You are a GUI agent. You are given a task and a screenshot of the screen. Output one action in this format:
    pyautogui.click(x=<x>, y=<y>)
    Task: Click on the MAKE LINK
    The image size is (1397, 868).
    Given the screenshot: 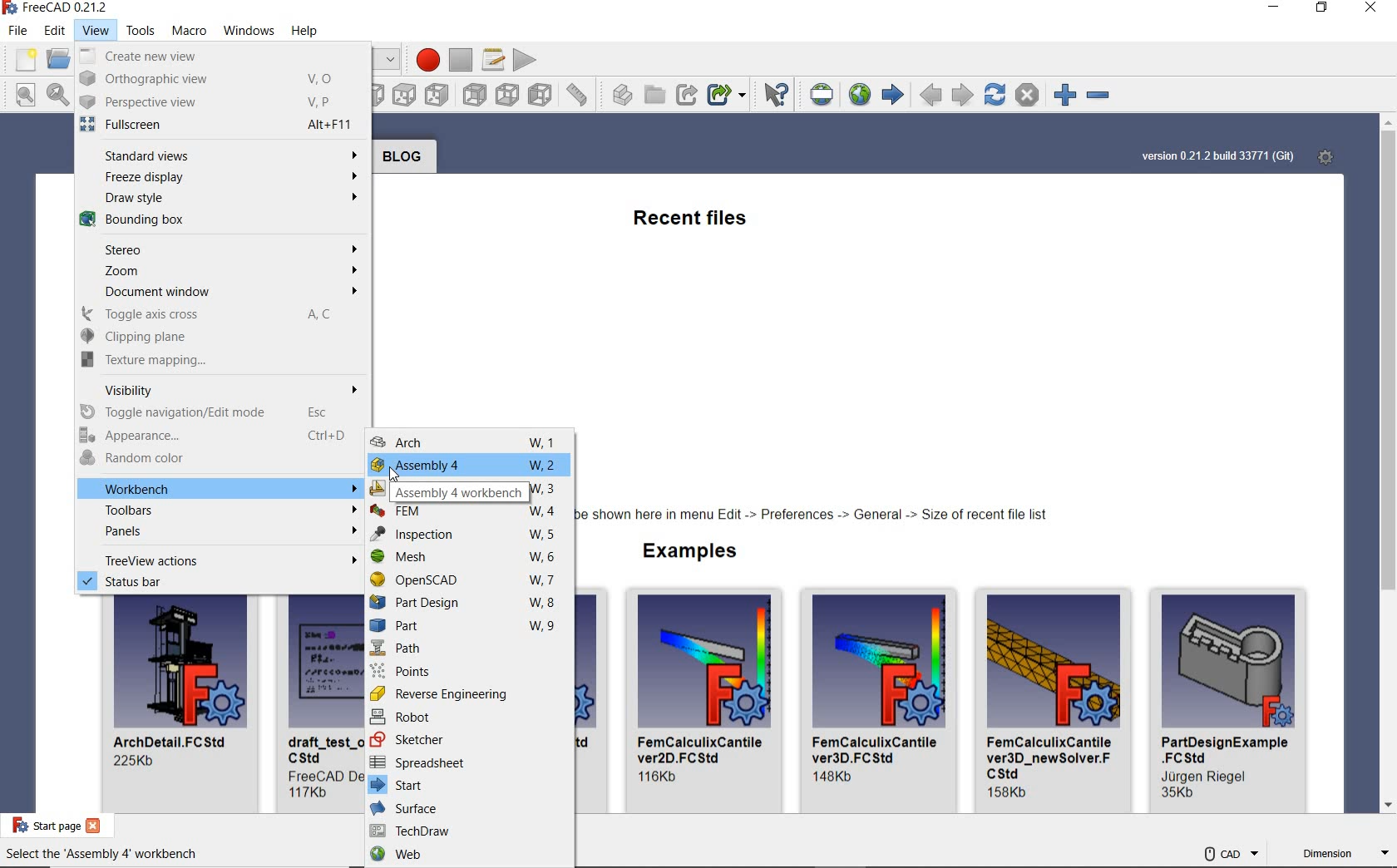 What is the action you would take?
    pyautogui.click(x=686, y=93)
    